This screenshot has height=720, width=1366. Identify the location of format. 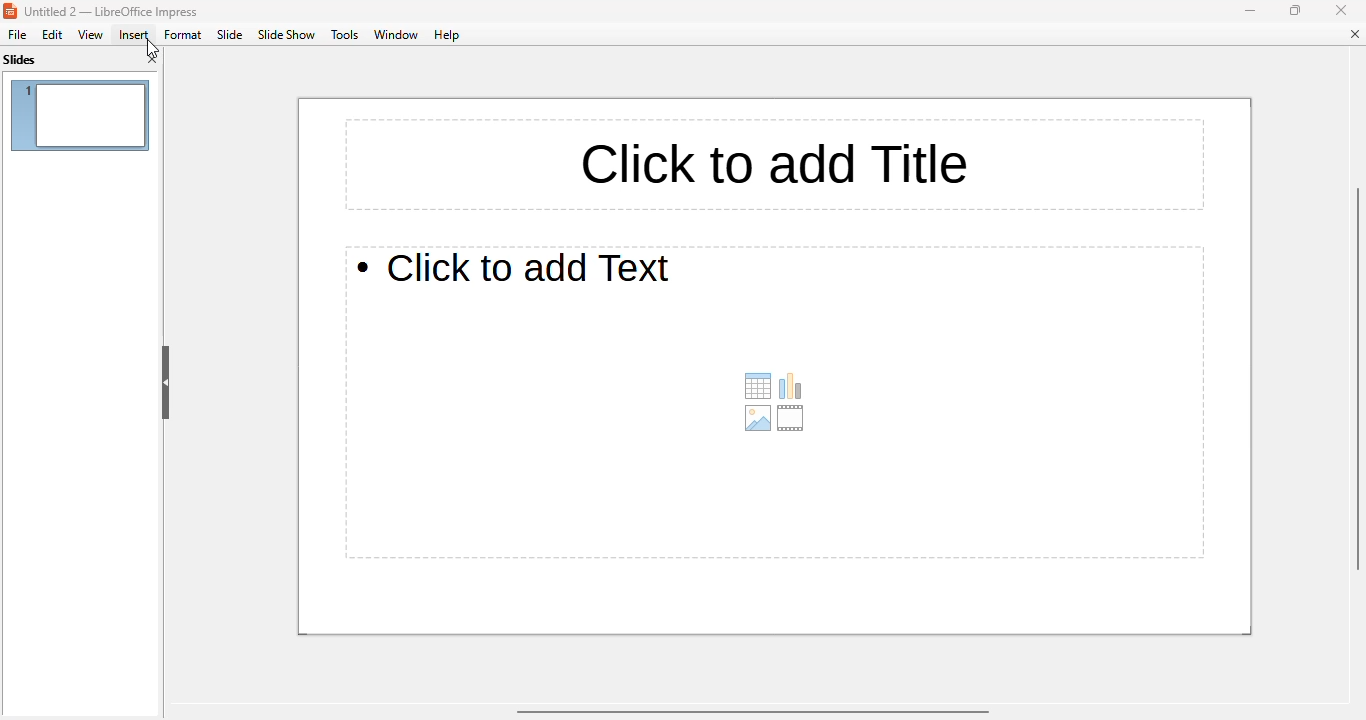
(184, 35).